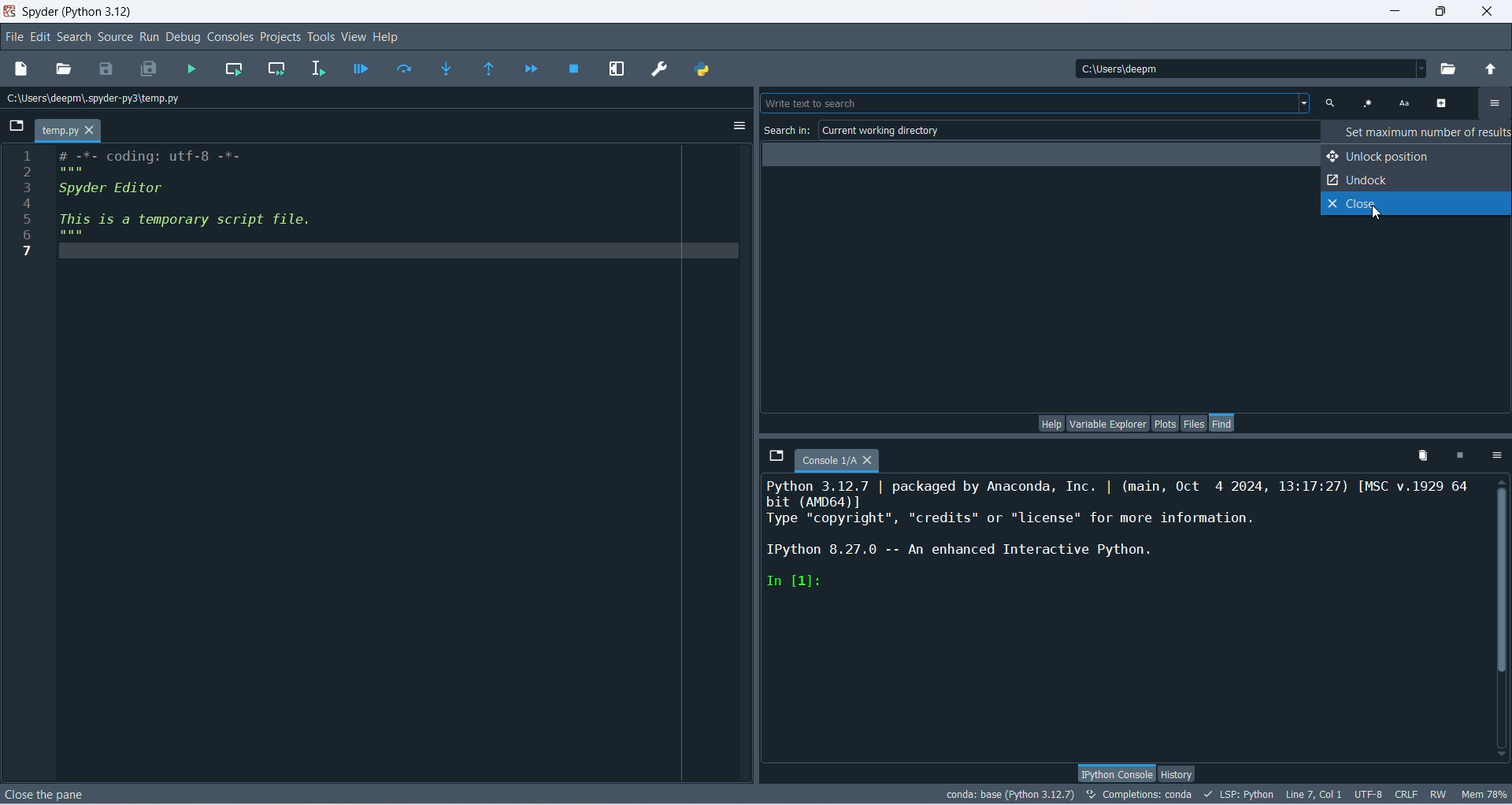 The image size is (1512, 805). What do you see at coordinates (1116, 772) in the screenshot?
I see `IPython console` at bounding box center [1116, 772].